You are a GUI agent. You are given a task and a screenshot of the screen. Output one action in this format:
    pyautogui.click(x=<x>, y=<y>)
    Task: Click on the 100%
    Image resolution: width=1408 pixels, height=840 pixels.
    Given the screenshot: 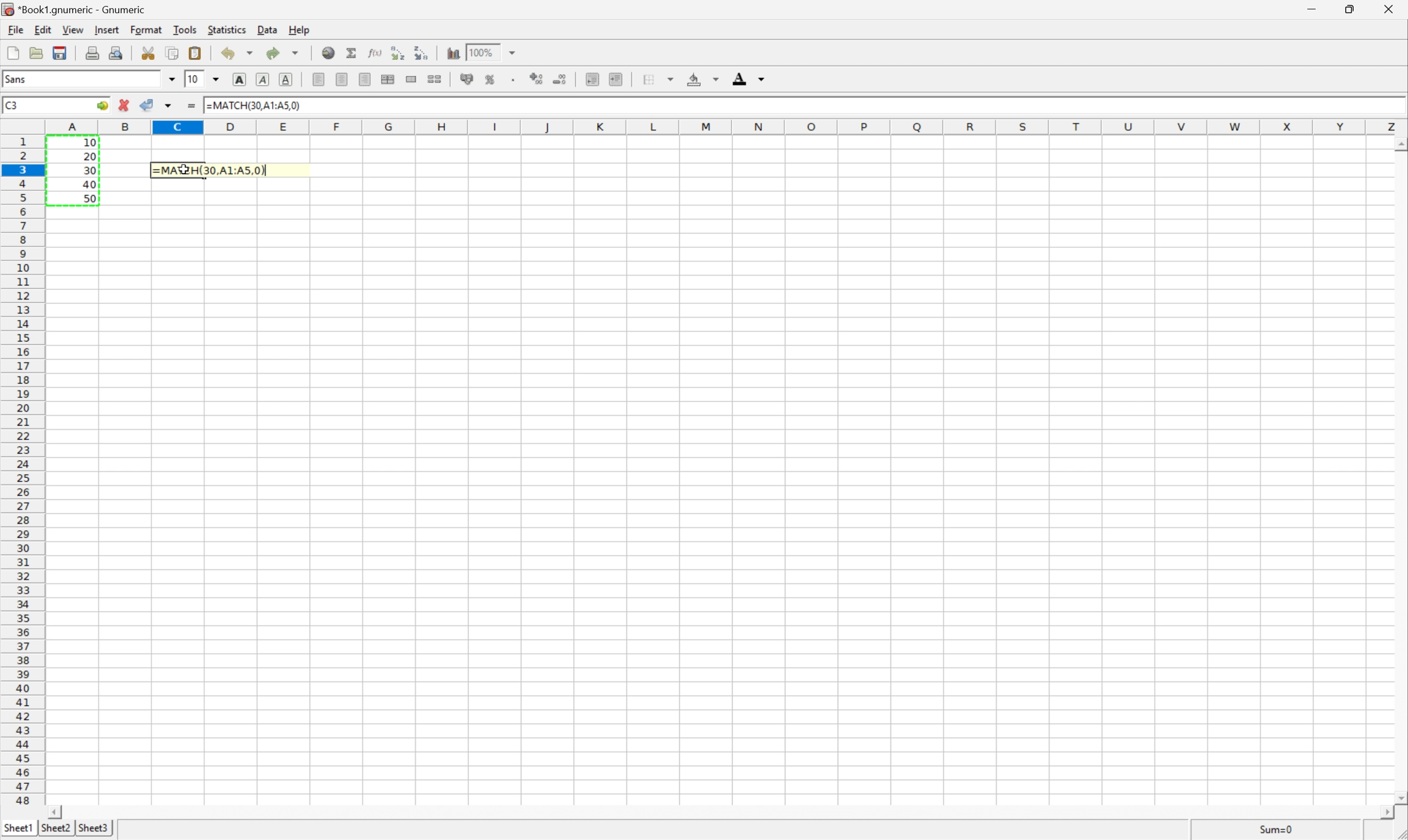 What is the action you would take?
    pyautogui.click(x=481, y=51)
    